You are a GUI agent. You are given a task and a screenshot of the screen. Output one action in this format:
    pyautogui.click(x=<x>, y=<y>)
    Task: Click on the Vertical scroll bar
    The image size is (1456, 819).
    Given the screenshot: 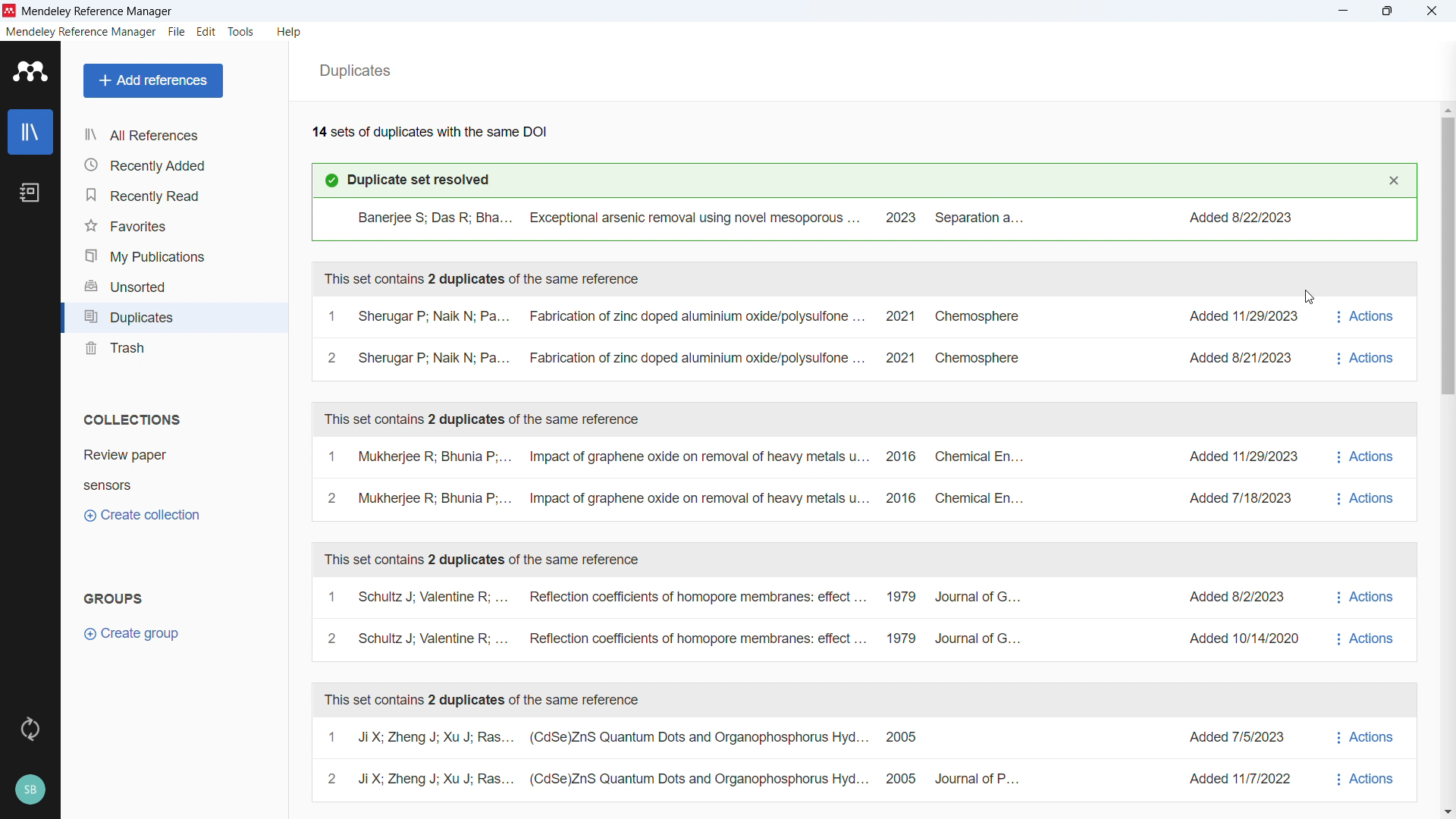 What is the action you would take?
    pyautogui.click(x=1449, y=252)
    